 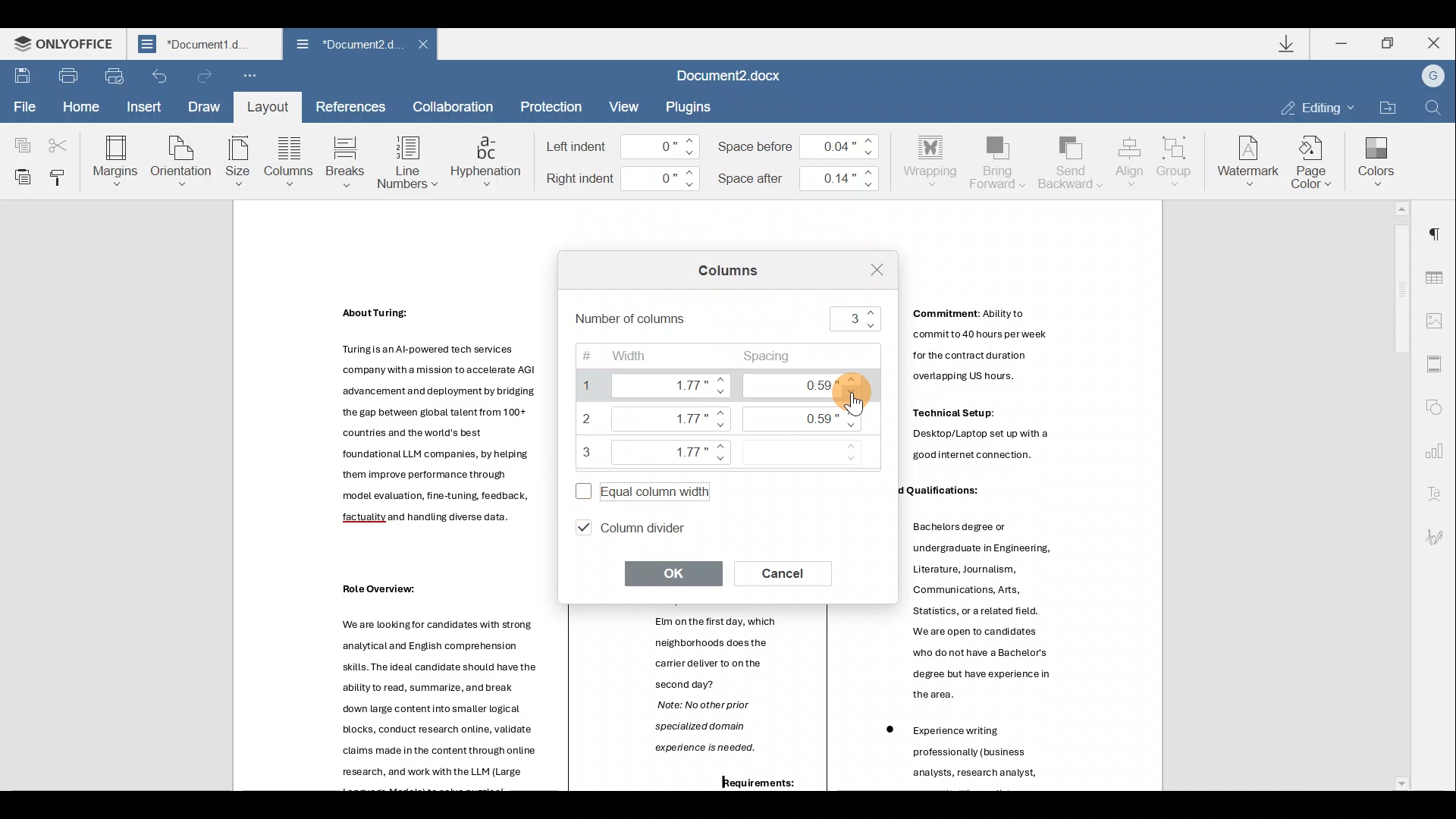 I want to click on Image settings, so click(x=1439, y=319).